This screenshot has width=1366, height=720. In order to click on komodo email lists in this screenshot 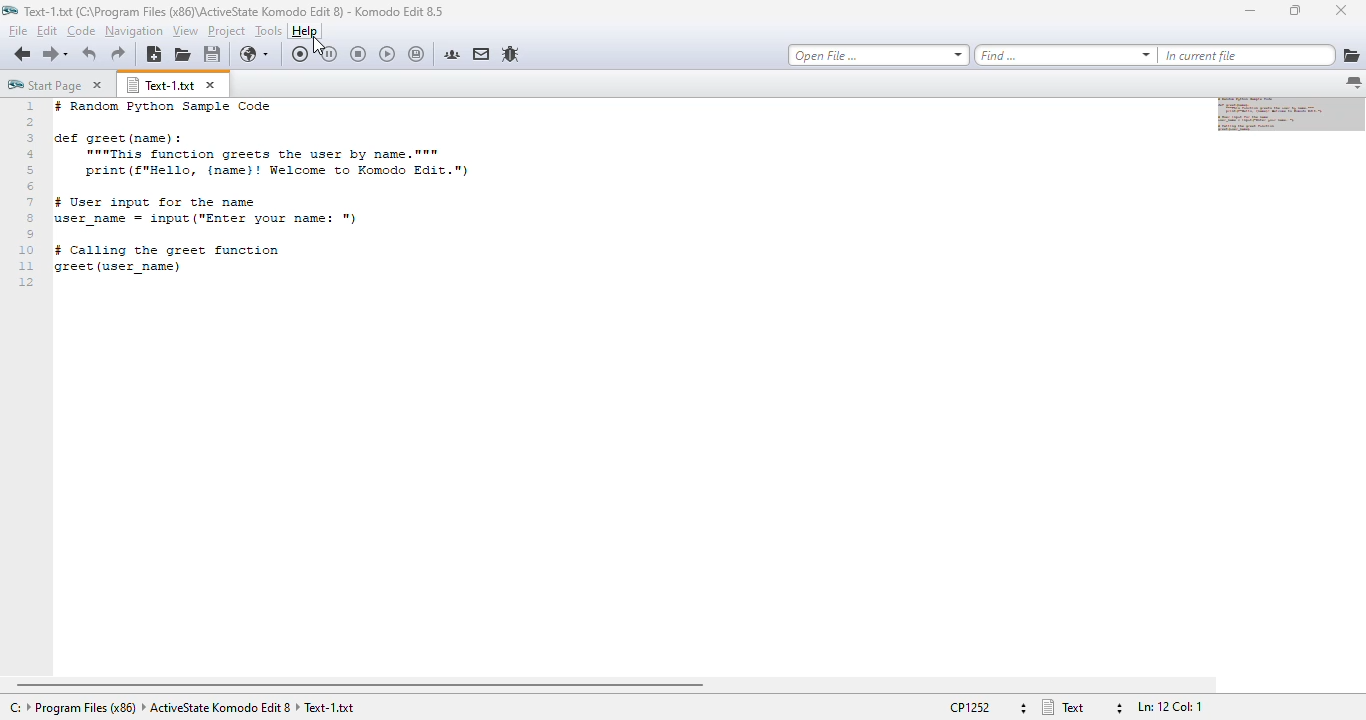, I will do `click(481, 54)`.